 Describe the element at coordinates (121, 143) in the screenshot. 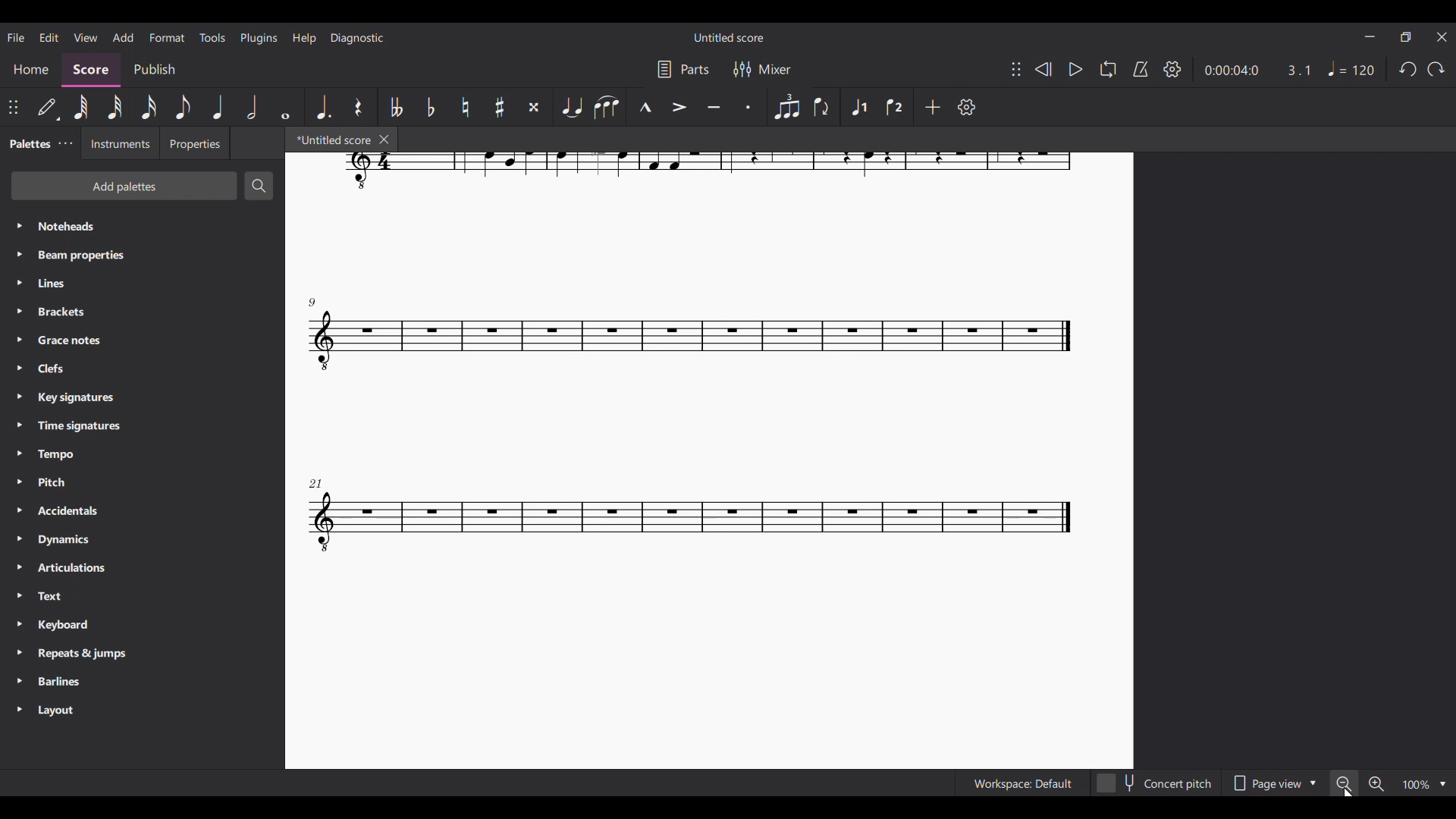

I see `Instruments` at that location.